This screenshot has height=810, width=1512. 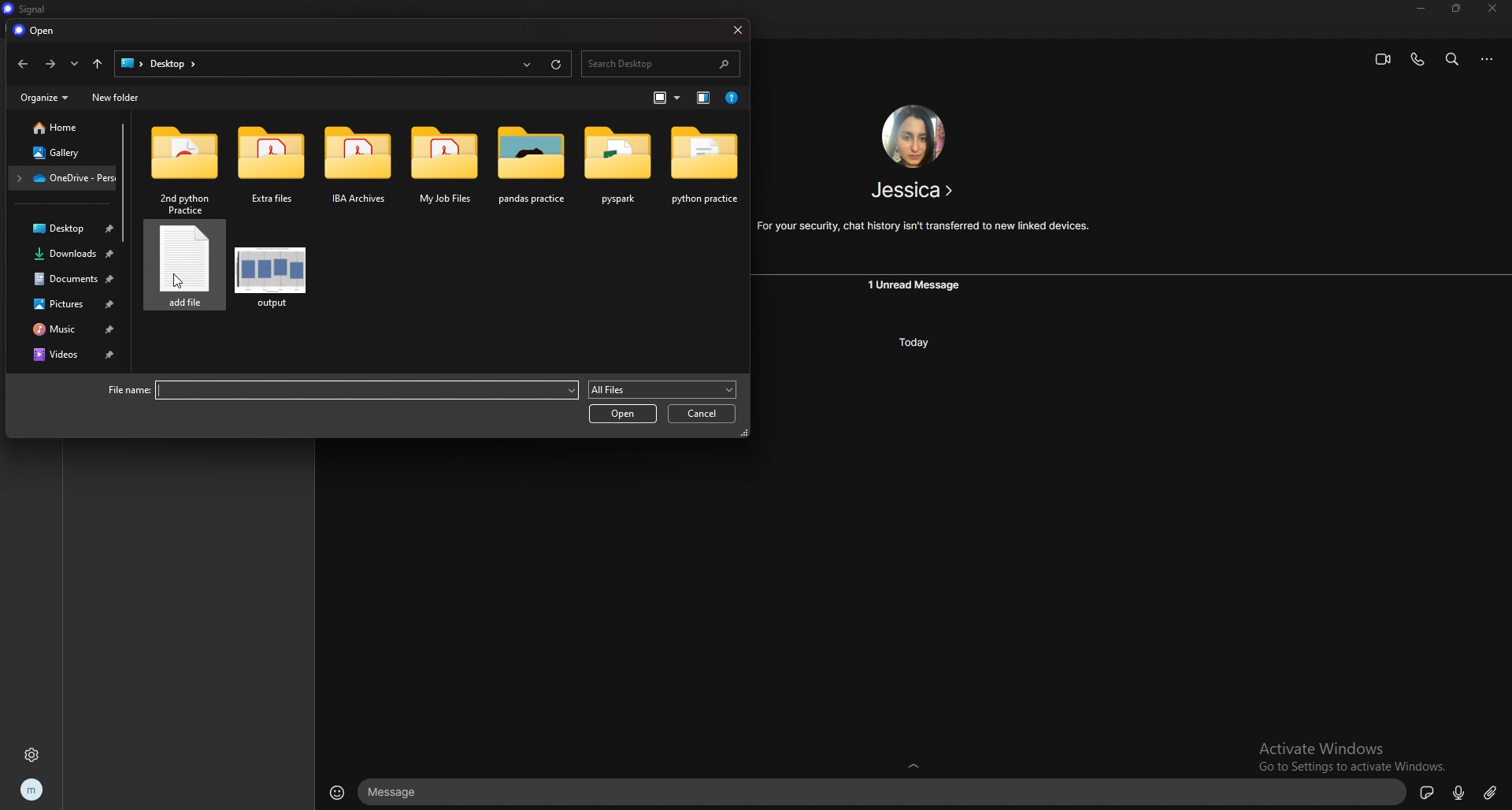 What do you see at coordinates (533, 166) in the screenshot?
I see `folder` at bounding box center [533, 166].